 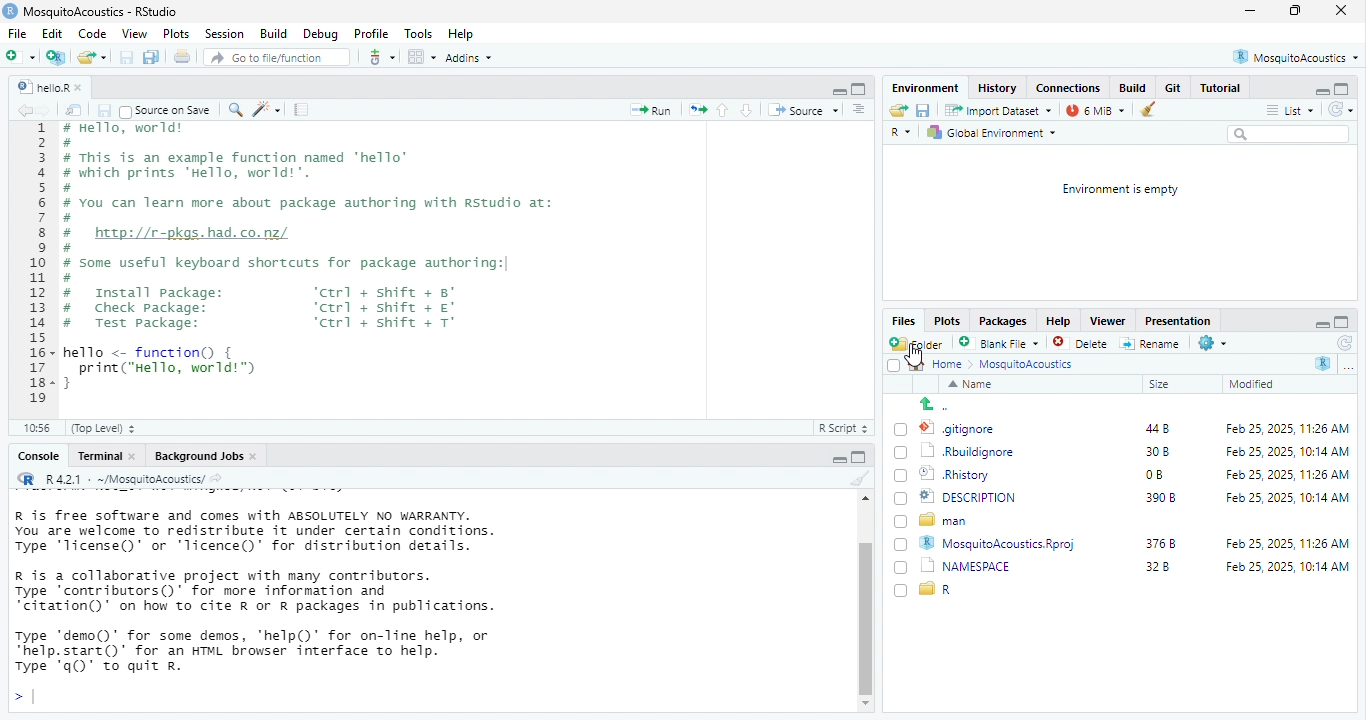 What do you see at coordinates (926, 87) in the screenshot?
I see ` Environment` at bounding box center [926, 87].